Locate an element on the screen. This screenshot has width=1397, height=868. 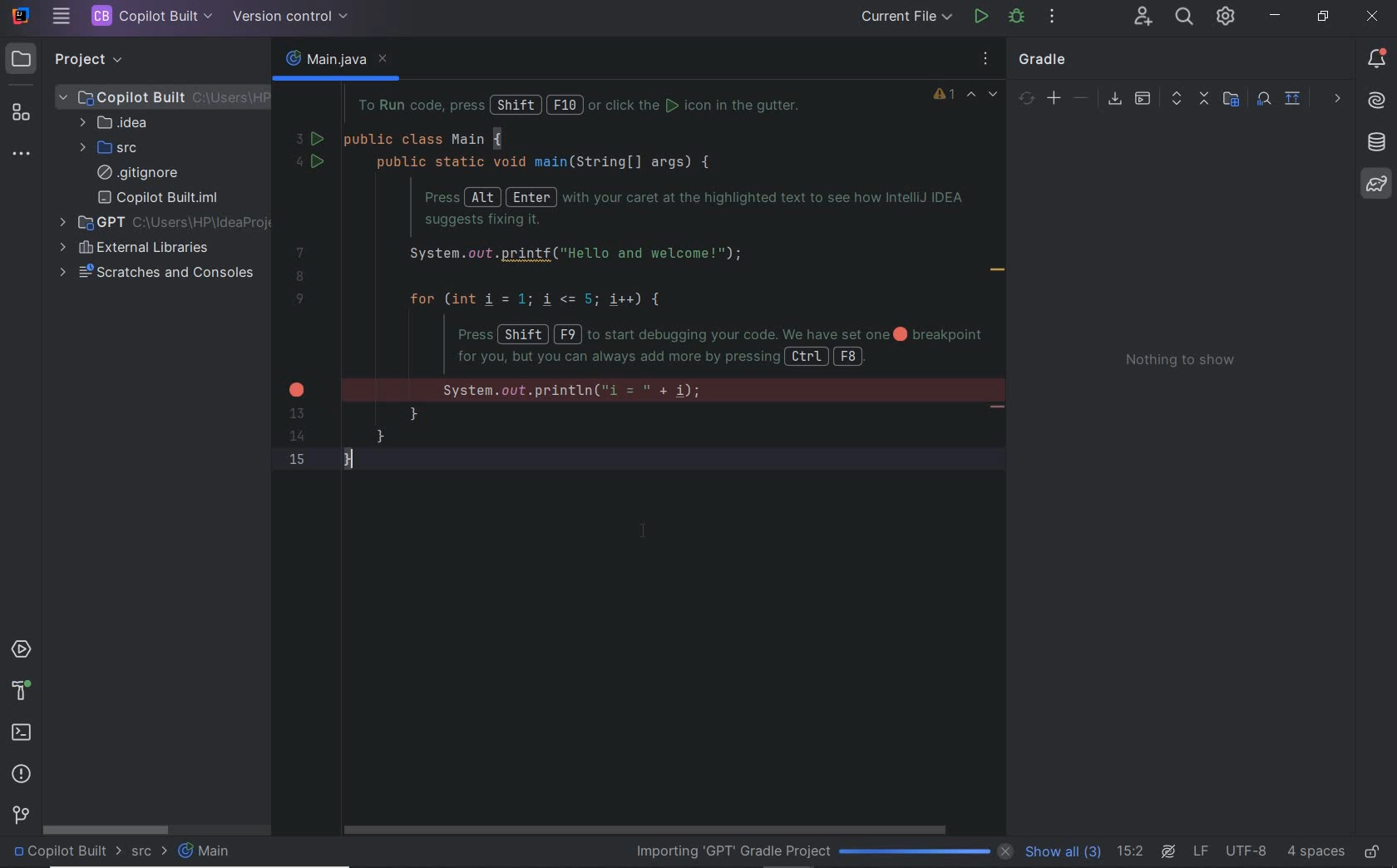
13 is located at coordinates (297, 413).